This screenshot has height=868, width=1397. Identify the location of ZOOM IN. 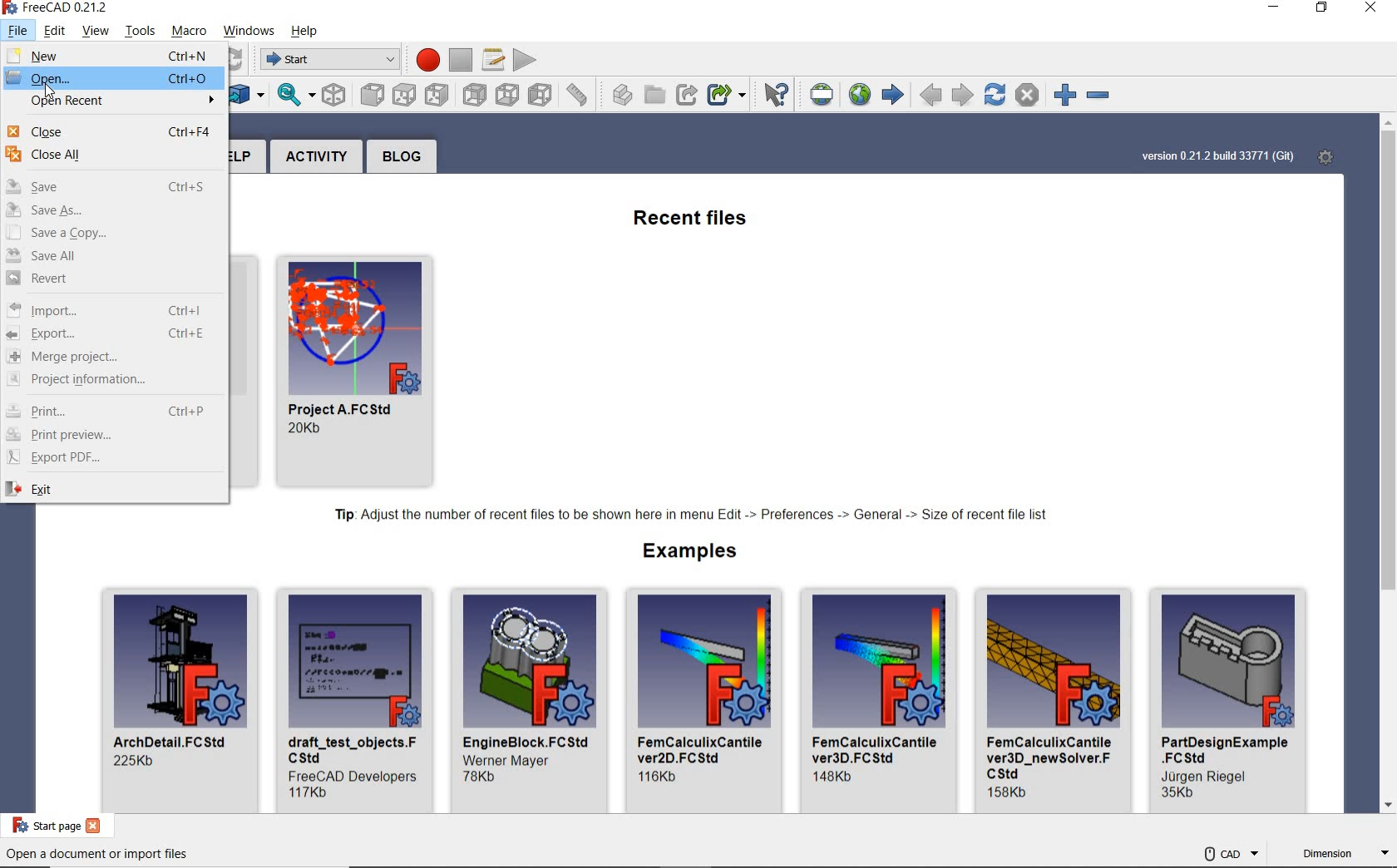
(1060, 94).